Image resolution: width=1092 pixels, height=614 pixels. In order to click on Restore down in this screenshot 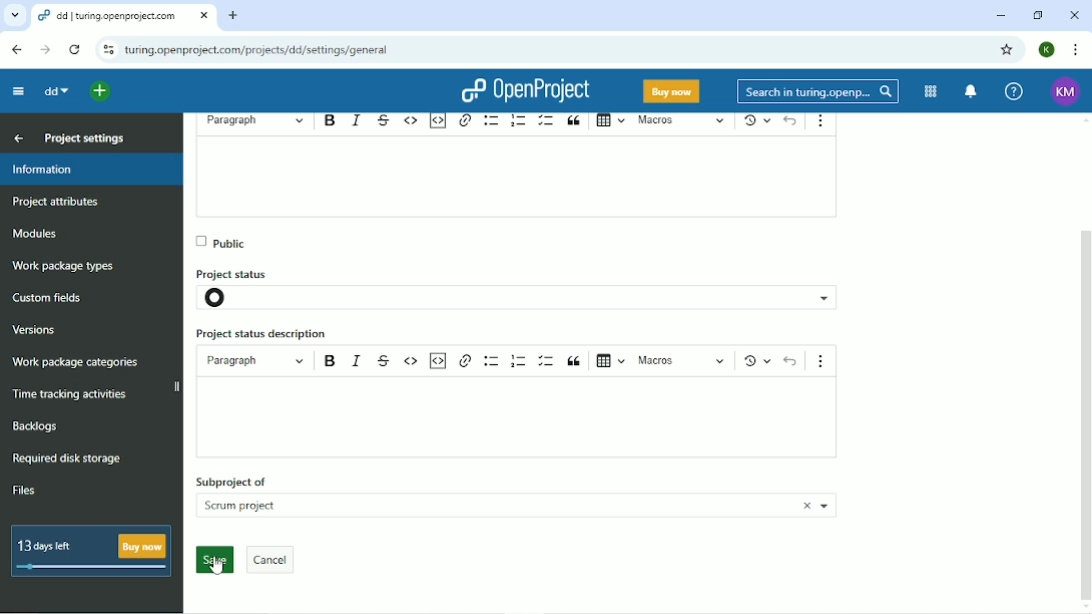, I will do `click(1038, 16)`.